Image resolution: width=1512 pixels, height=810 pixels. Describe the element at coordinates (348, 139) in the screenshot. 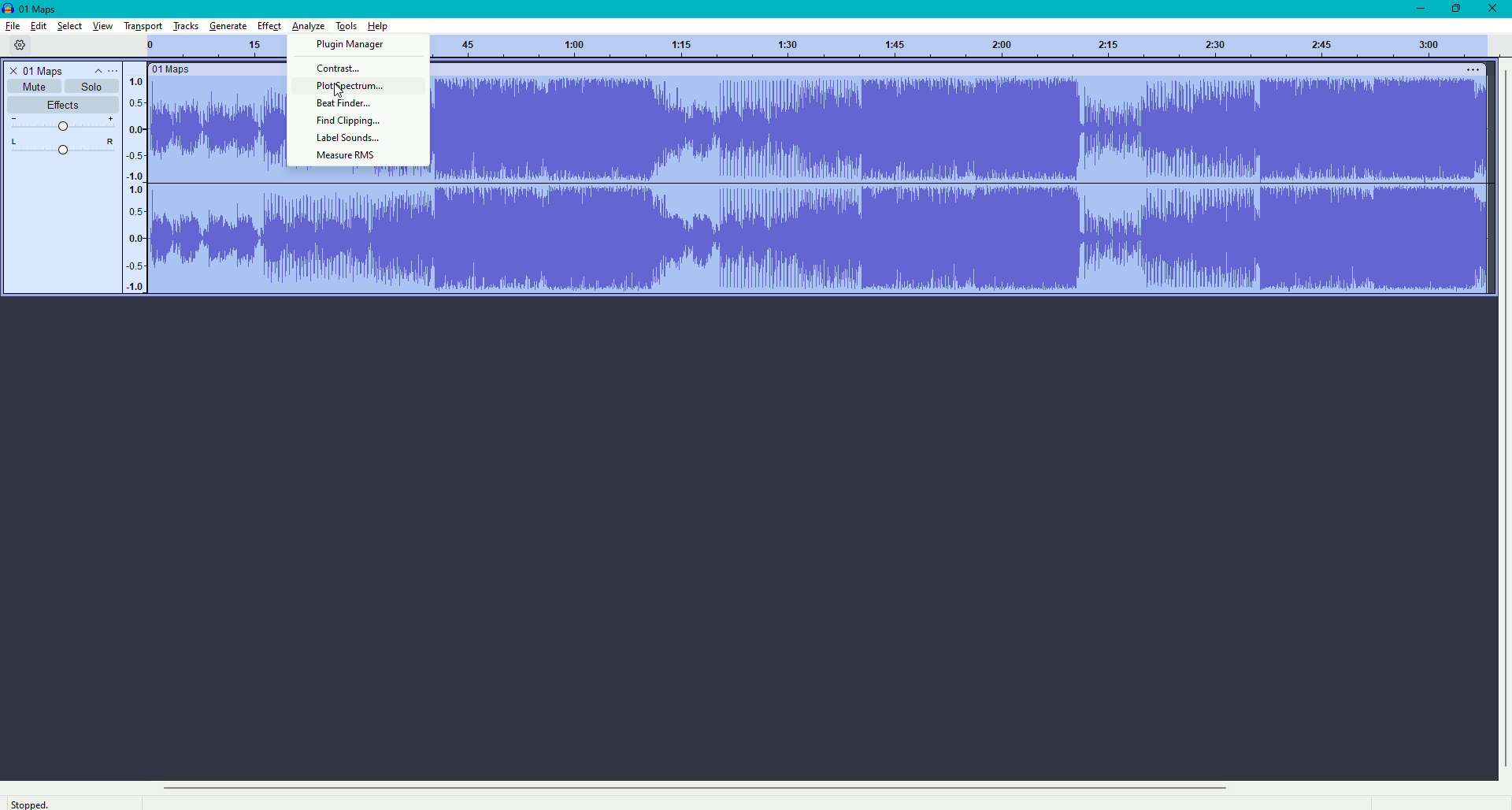

I see `Label Sounds` at that location.